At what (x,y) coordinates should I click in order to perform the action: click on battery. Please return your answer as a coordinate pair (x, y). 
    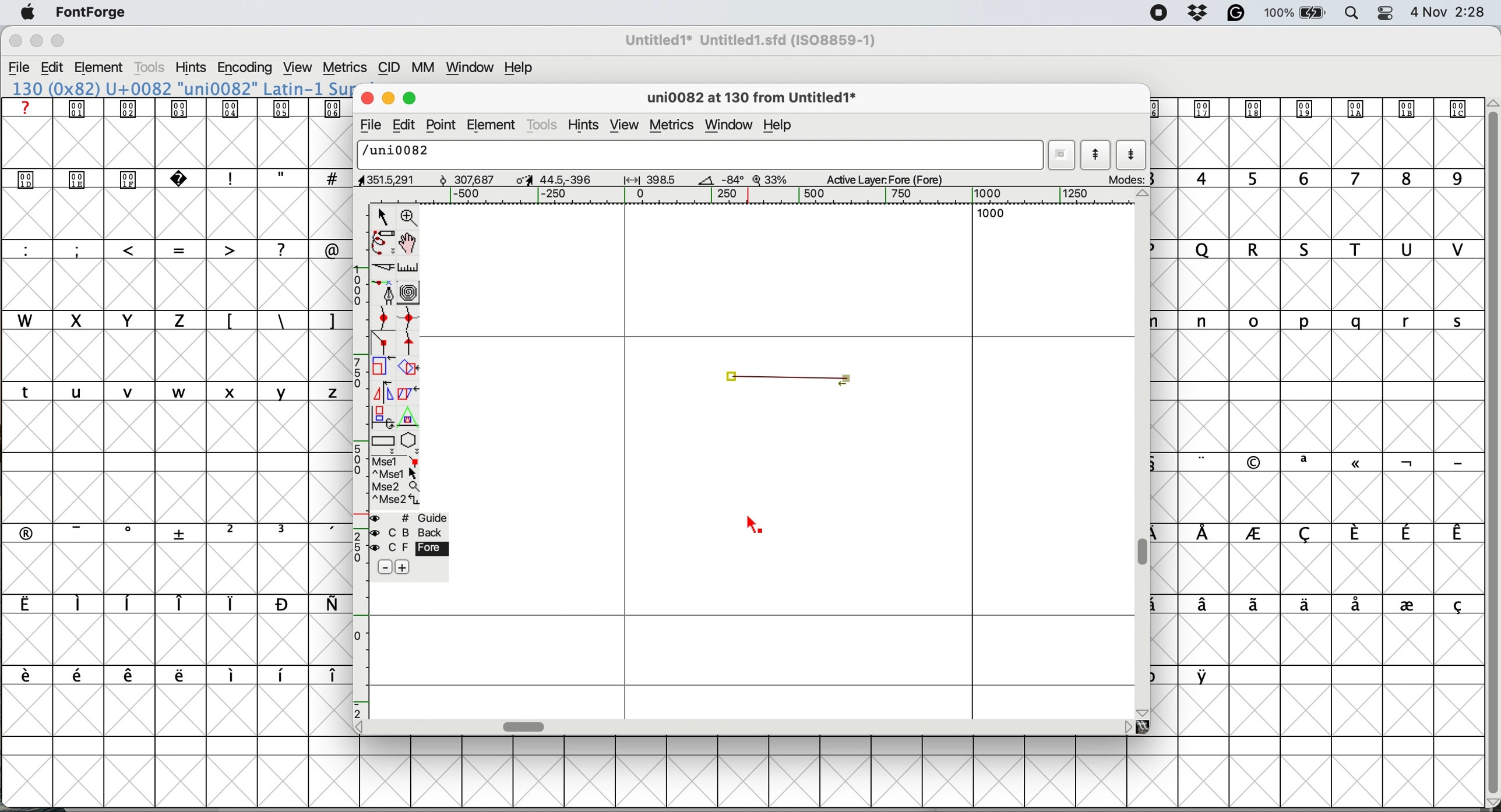
    Looking at the image, I should click on (1294, 13).